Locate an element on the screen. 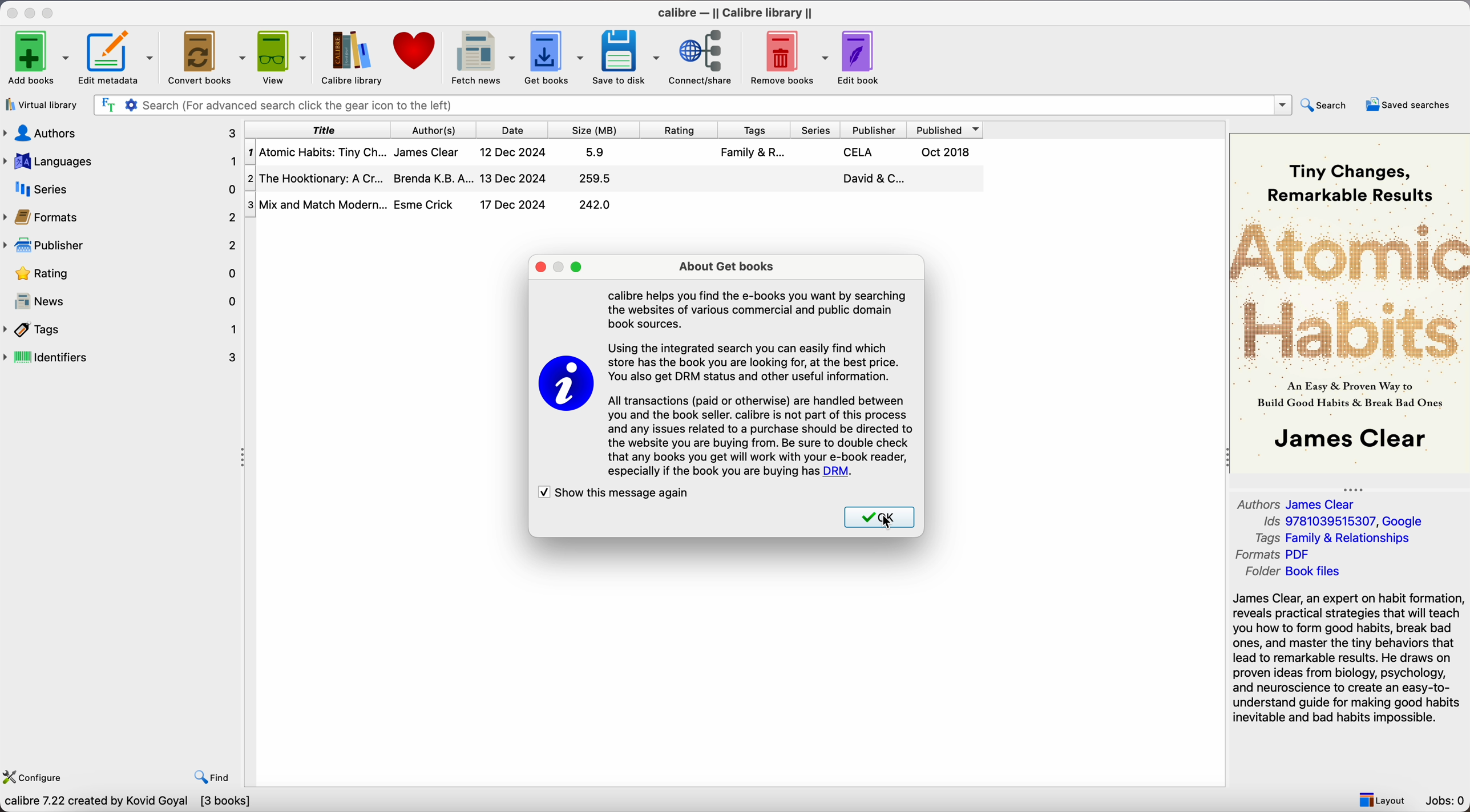 The width and height of the screenshot is (1470, 812). The Hooktionary: A Cr... is located at coordinates (320, 178).